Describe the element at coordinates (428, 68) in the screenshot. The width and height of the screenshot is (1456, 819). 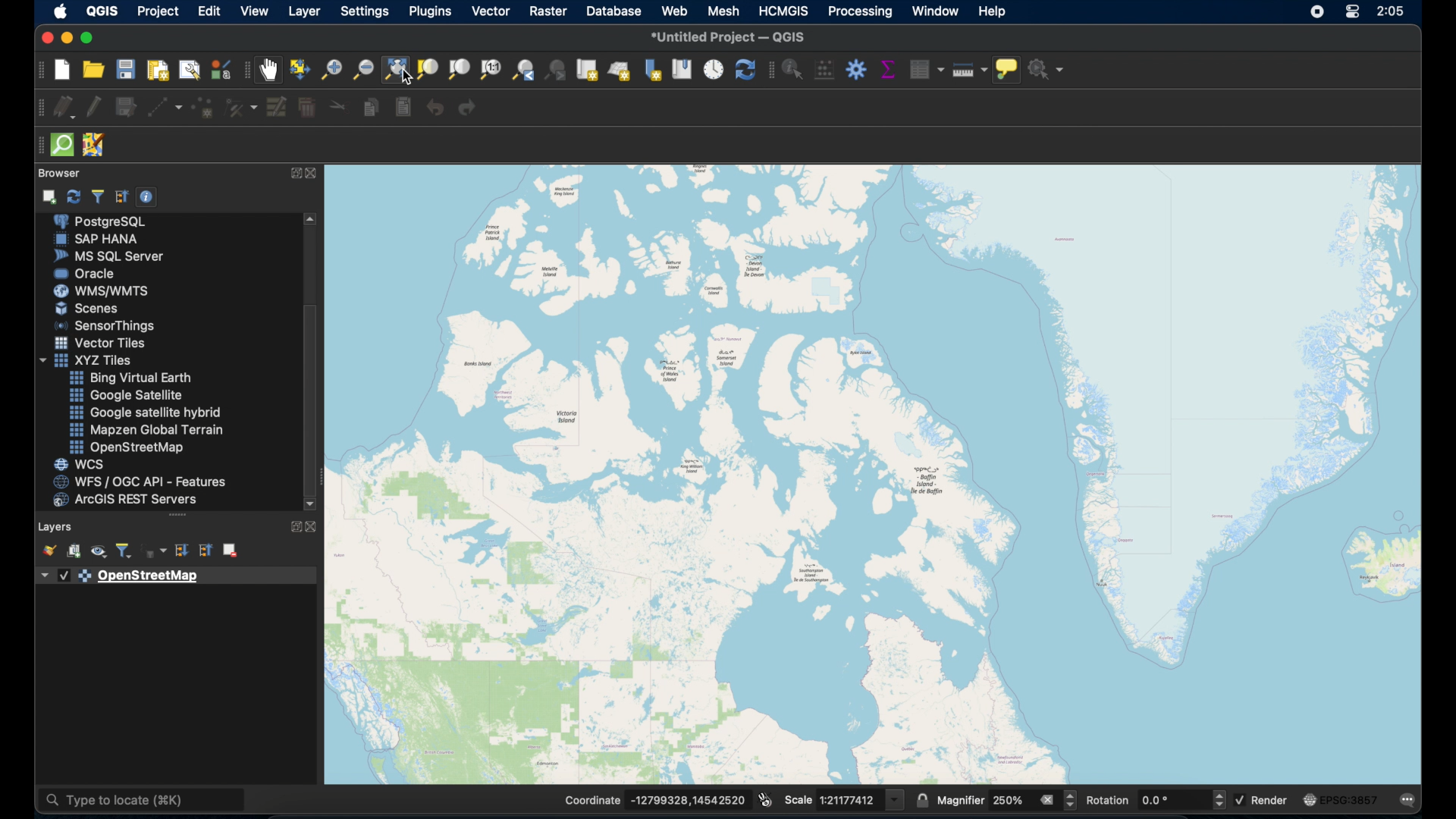
I see `zoom to layer` at that location.